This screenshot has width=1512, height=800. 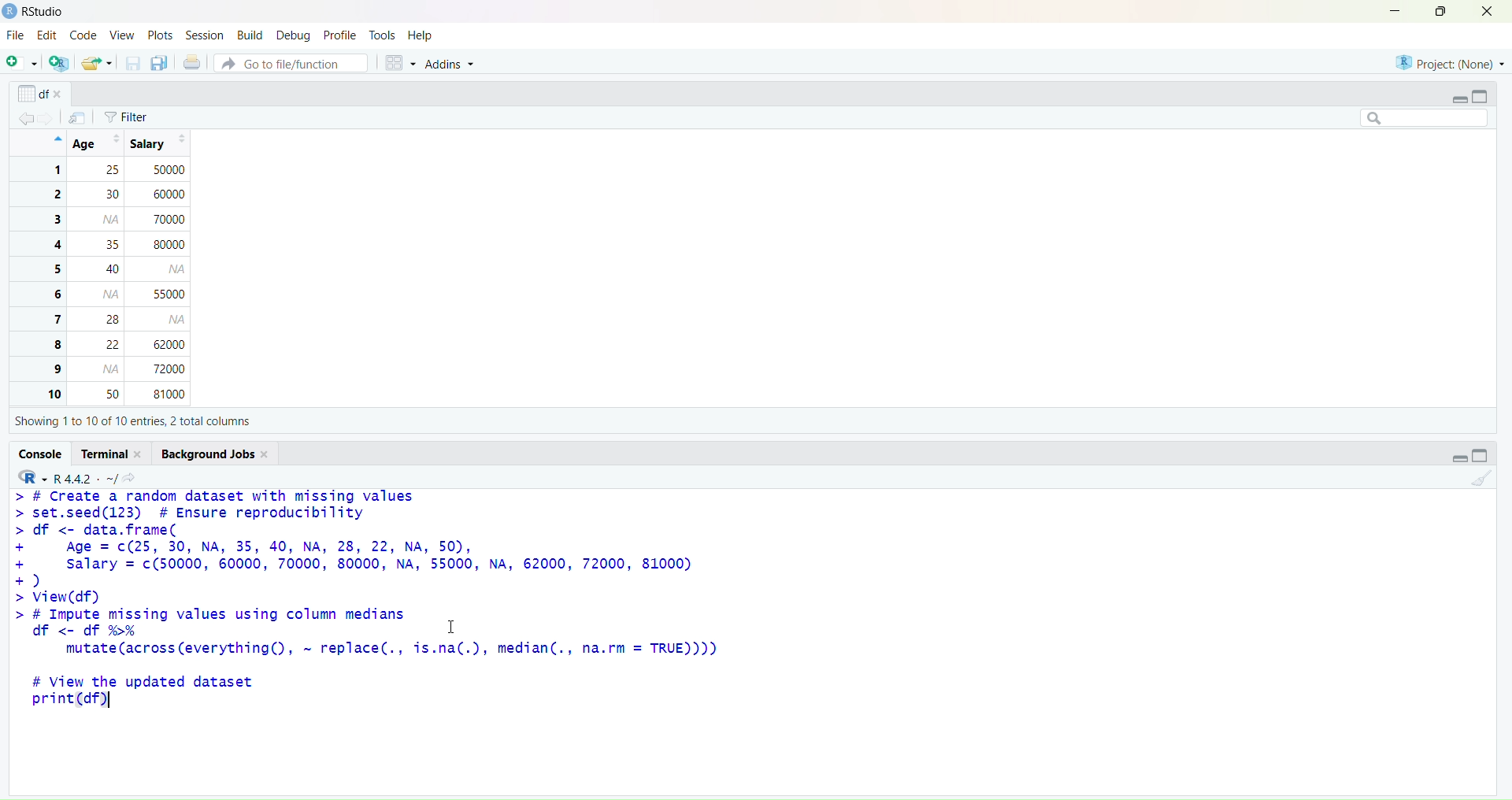 What do you see at coordinates (1435, 11) in the screenshot?
I see `maximize` at bounding box center [1435, 11].